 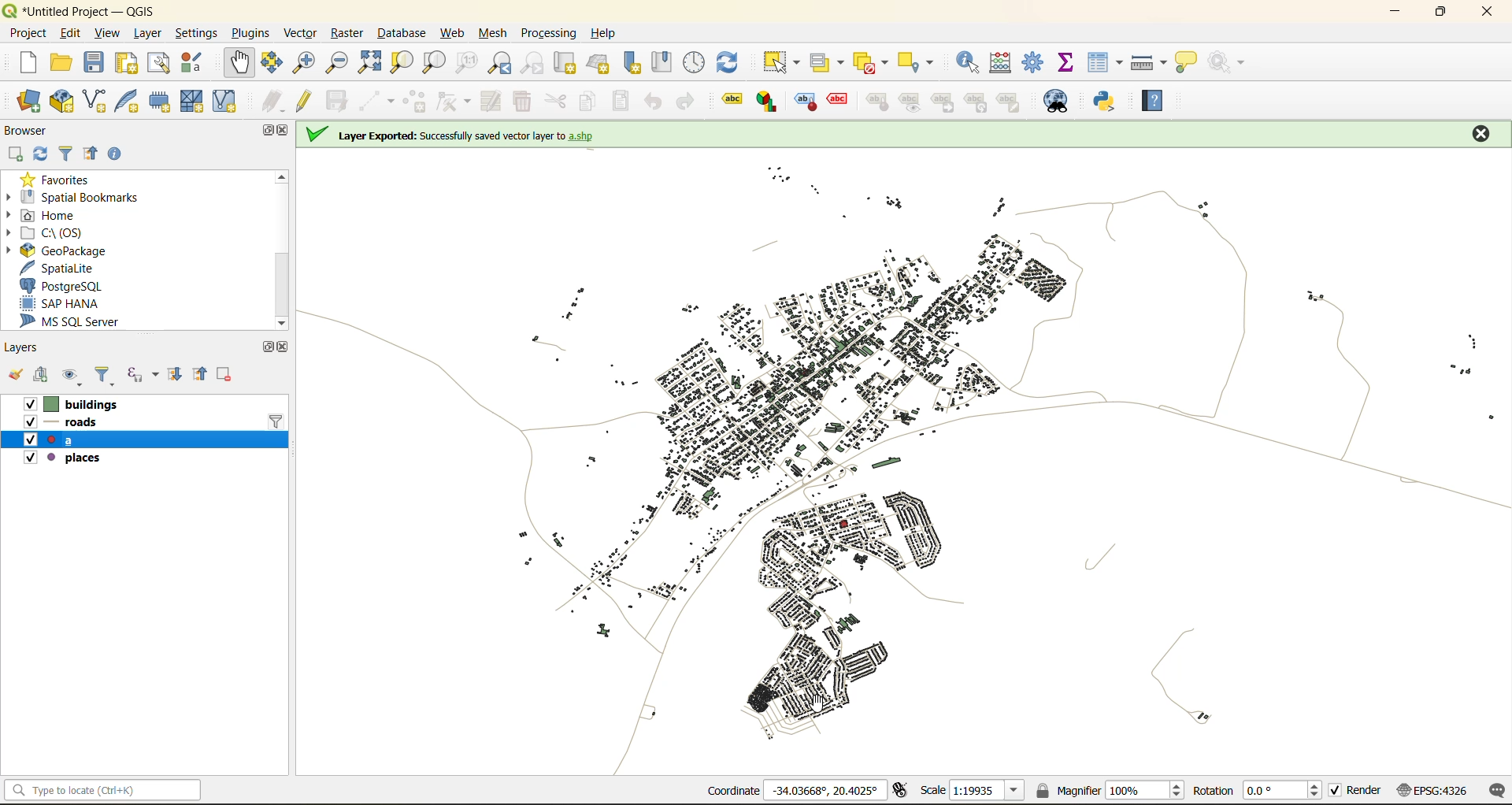 I want to click on file name added to layers, so click(x=65, y=440).